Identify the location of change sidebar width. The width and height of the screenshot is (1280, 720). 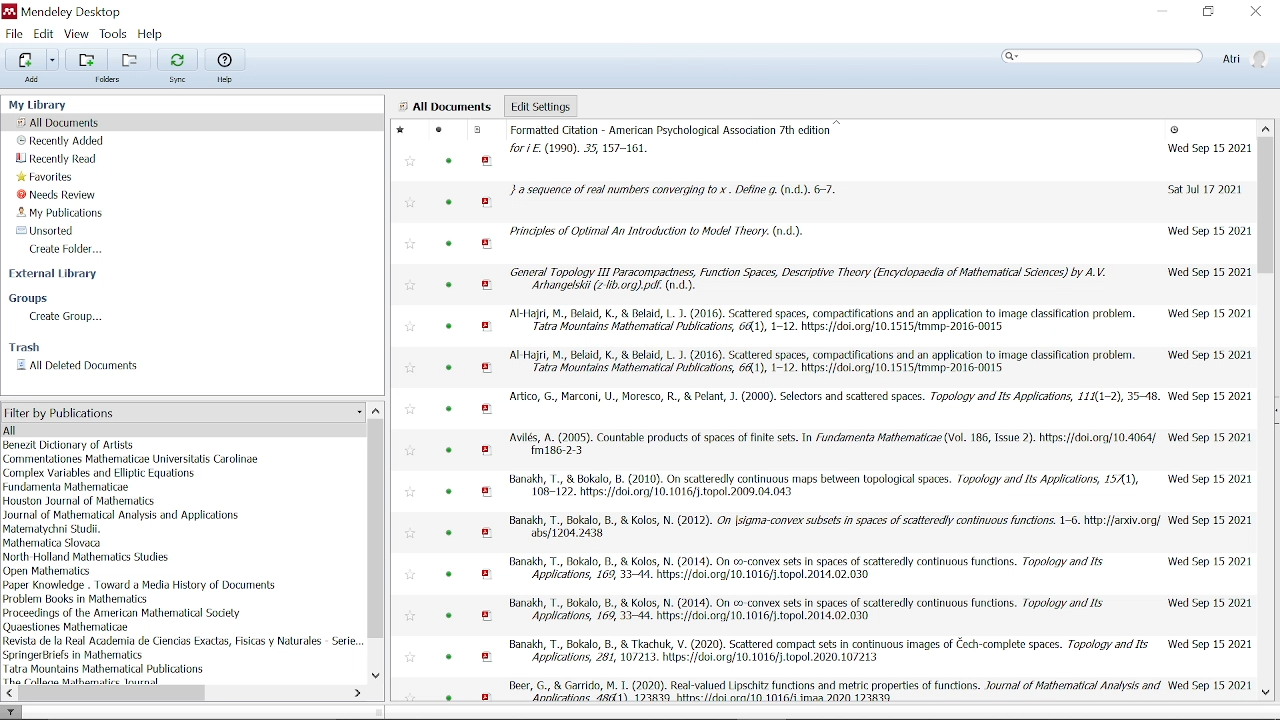
(378, 711).